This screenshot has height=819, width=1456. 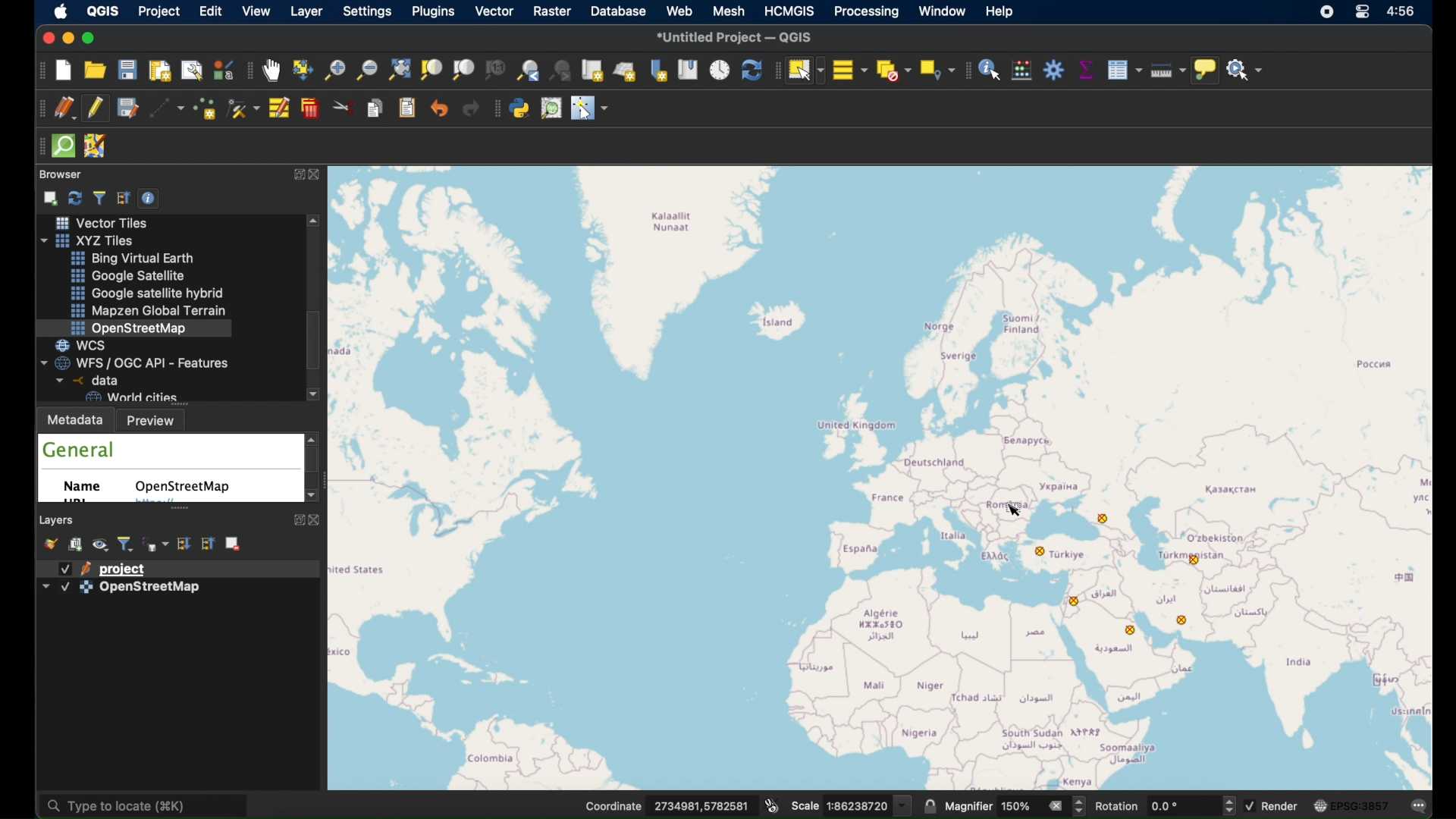 What do you see at coordinates (494, 12) in the screenshot?
I see `vector` at bounding box center [494, 12].